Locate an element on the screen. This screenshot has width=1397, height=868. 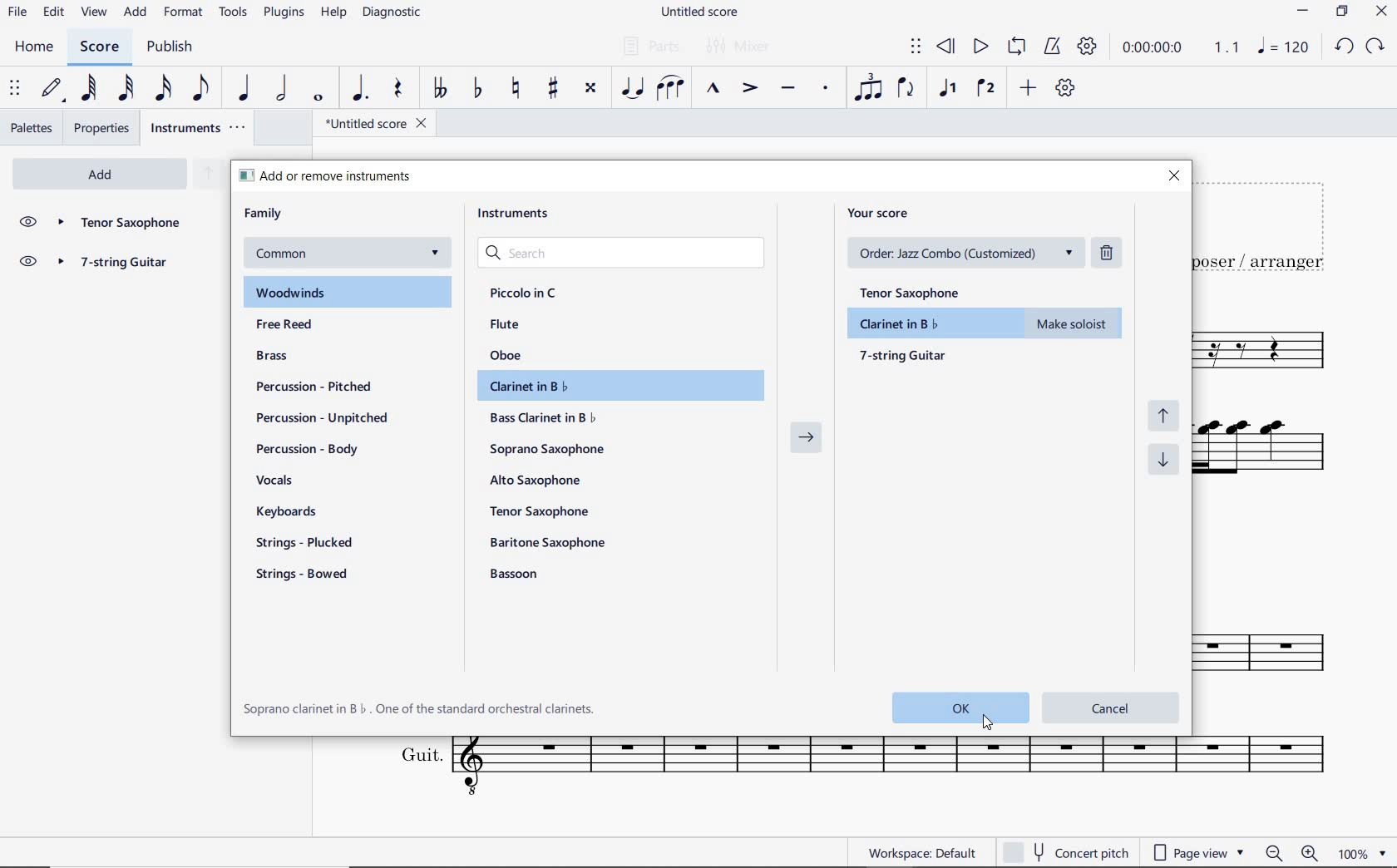
REST is located at coordinates (397, 90).